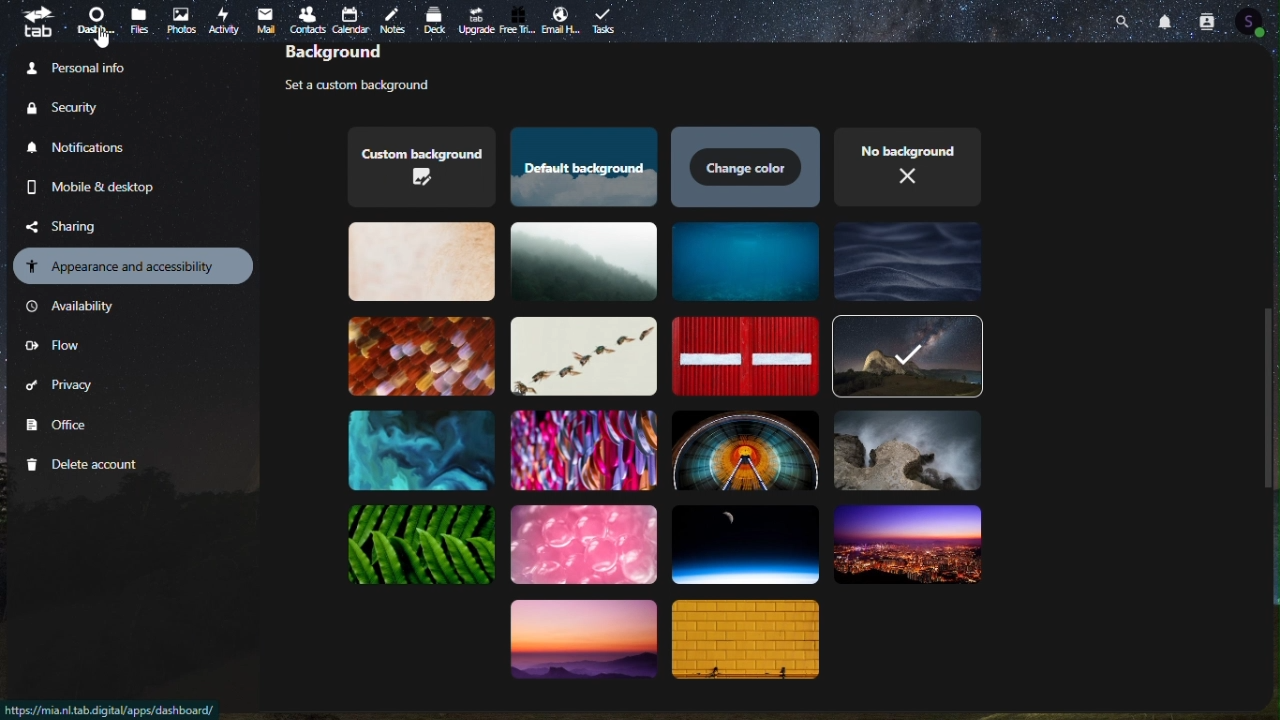 This screenshot has height=720, width=1280. I want to click on Themes, so click(415, 261).